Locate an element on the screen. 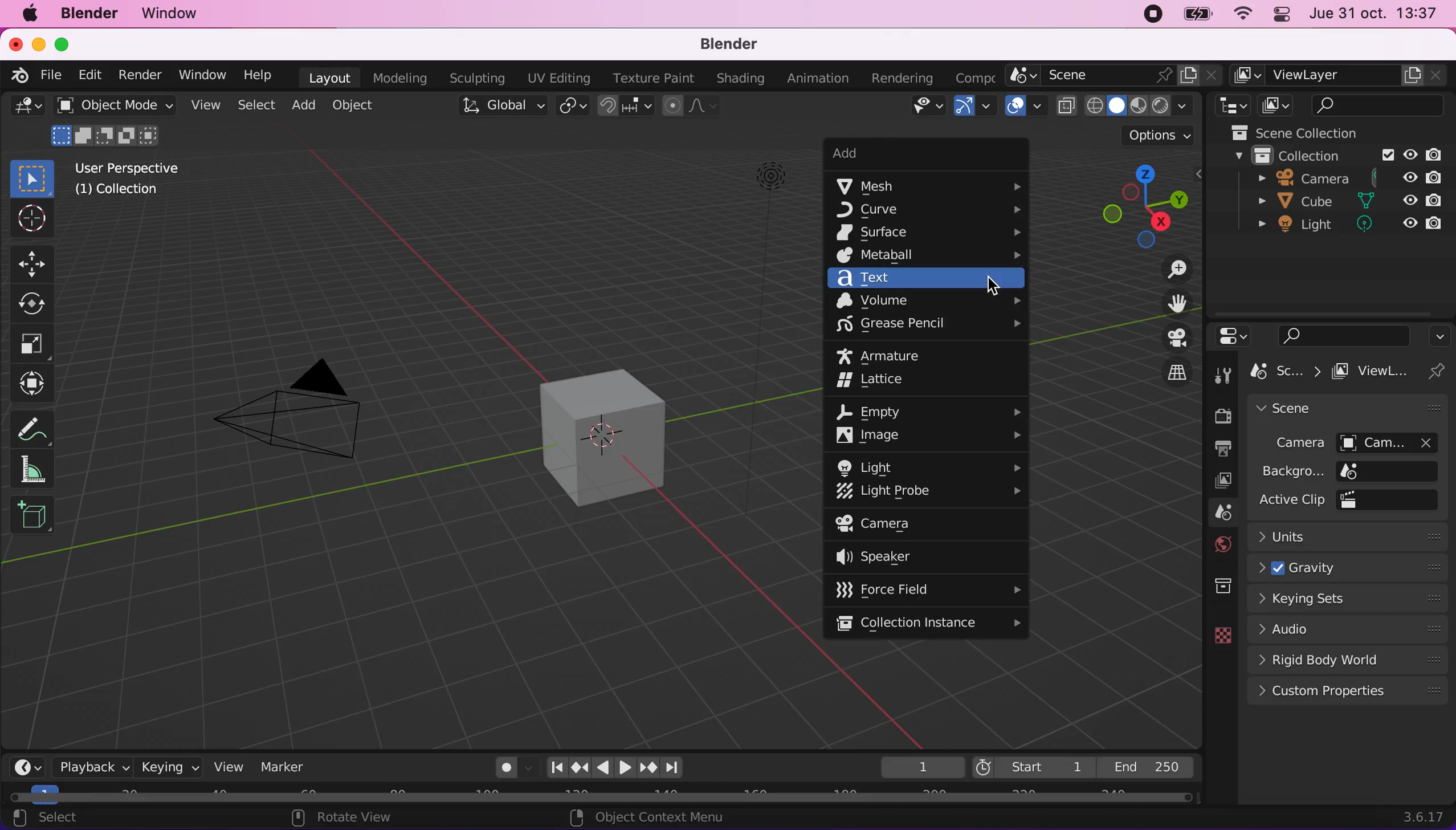 This screenshot has width=1456, height=830. display the view is located at coordinates (1169, 338).